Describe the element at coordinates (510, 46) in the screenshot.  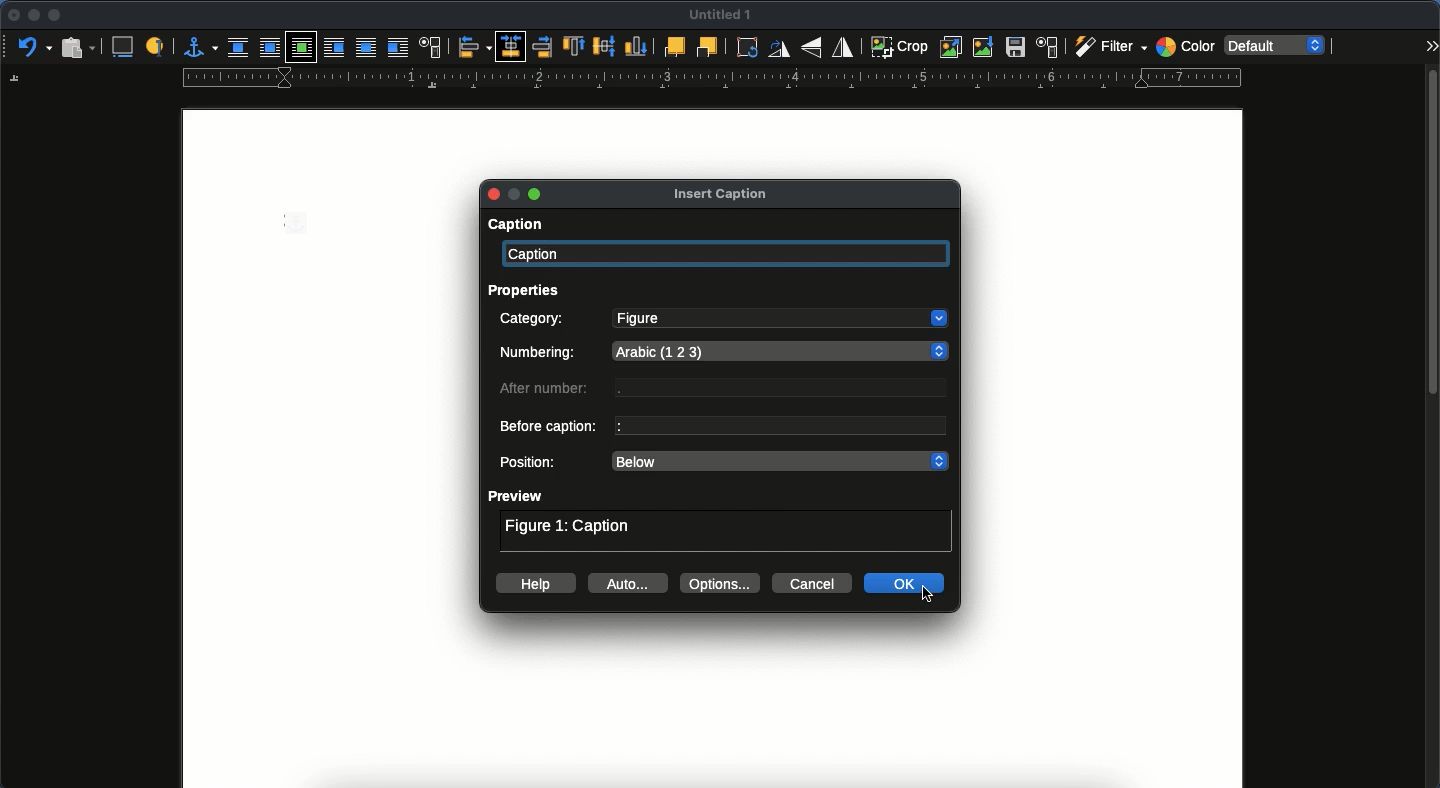
I see `centered` at that location.